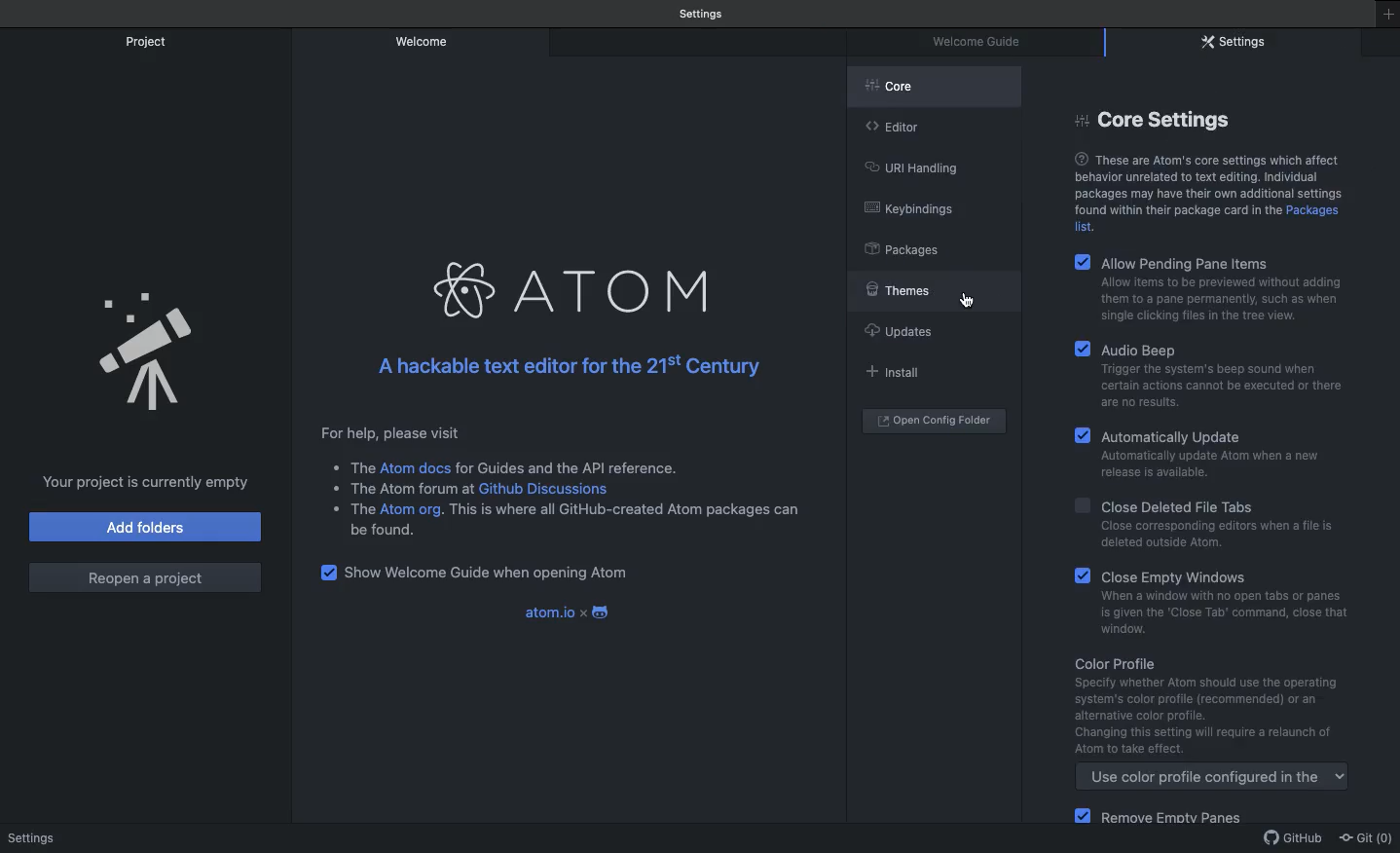 Image resolution: width=1400 pixels, height=853 pixels. Describe the element at coordinates (934, 422) in the screenshot. I see `Open coding folder` at that location.